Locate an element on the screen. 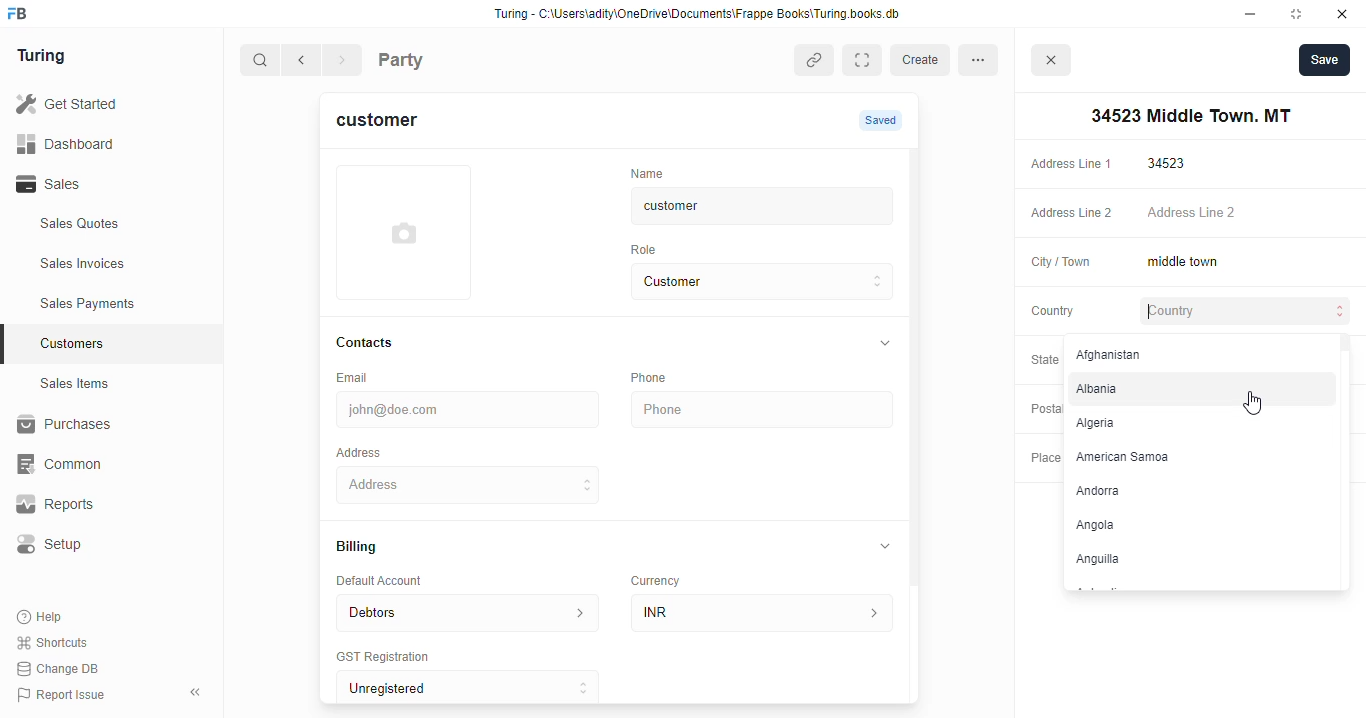 The width and height of the screenshot is (1366, 718). collapse is located at coordinates (883, 344).